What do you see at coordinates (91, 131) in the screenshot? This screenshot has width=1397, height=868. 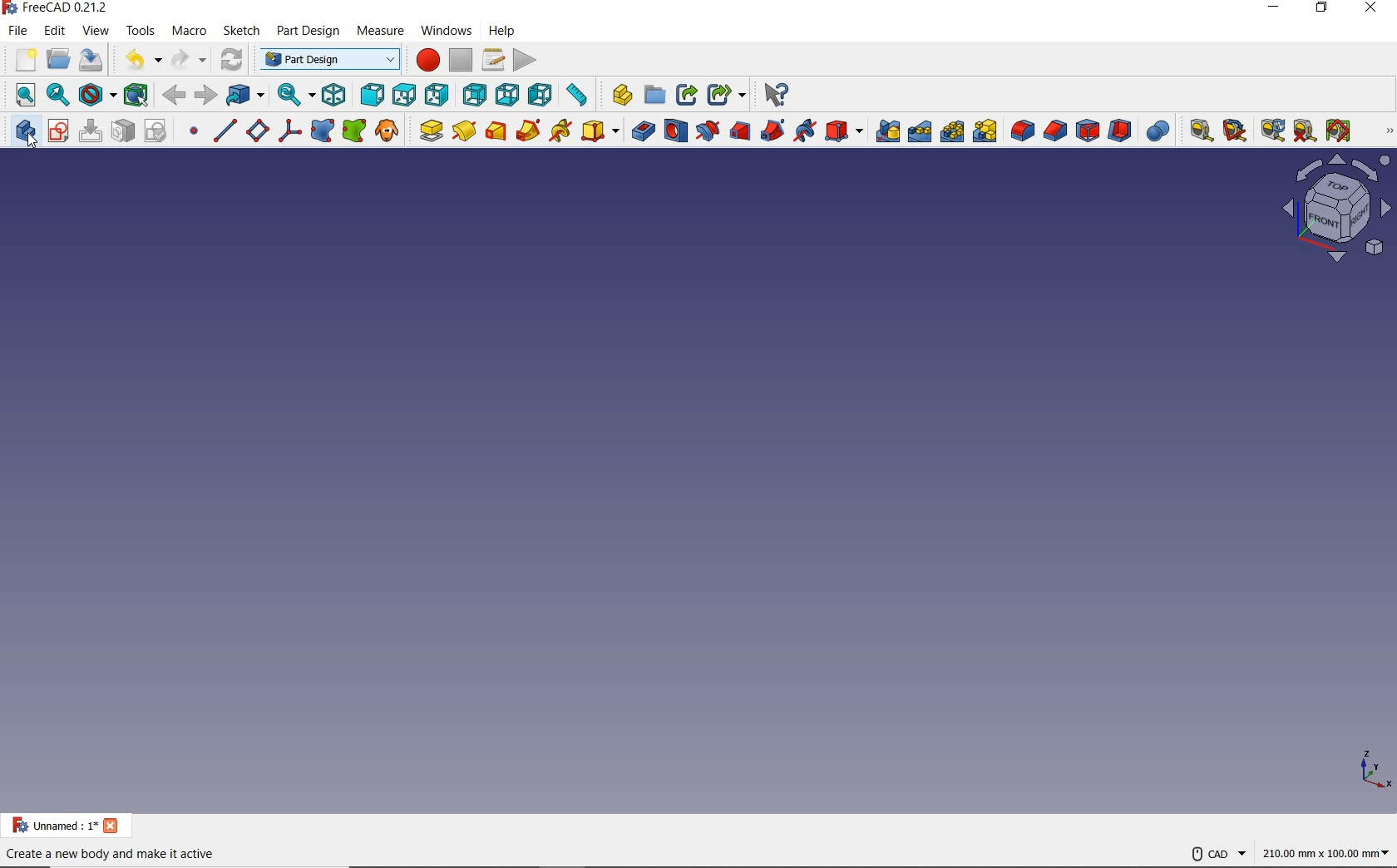 I see `EDIT SKETCH` at bounding box center [91, 131].